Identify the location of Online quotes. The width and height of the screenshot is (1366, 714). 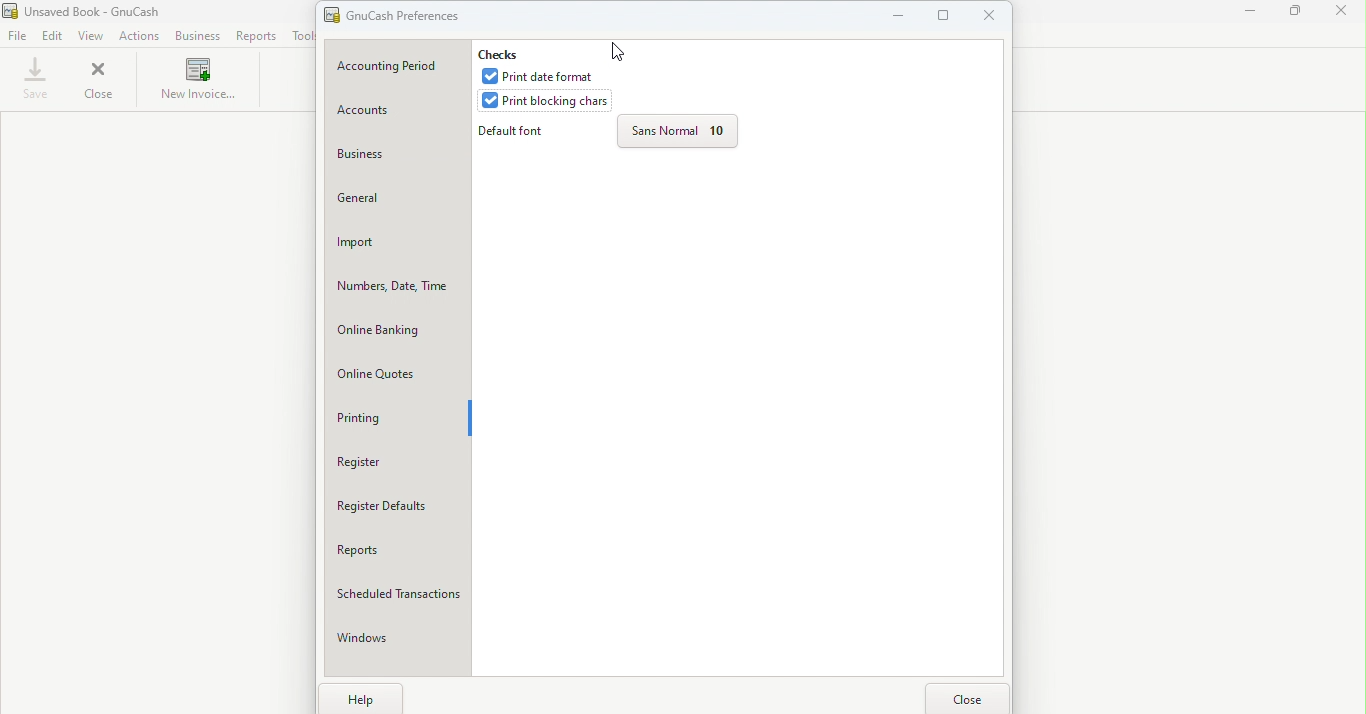
(400, 375).